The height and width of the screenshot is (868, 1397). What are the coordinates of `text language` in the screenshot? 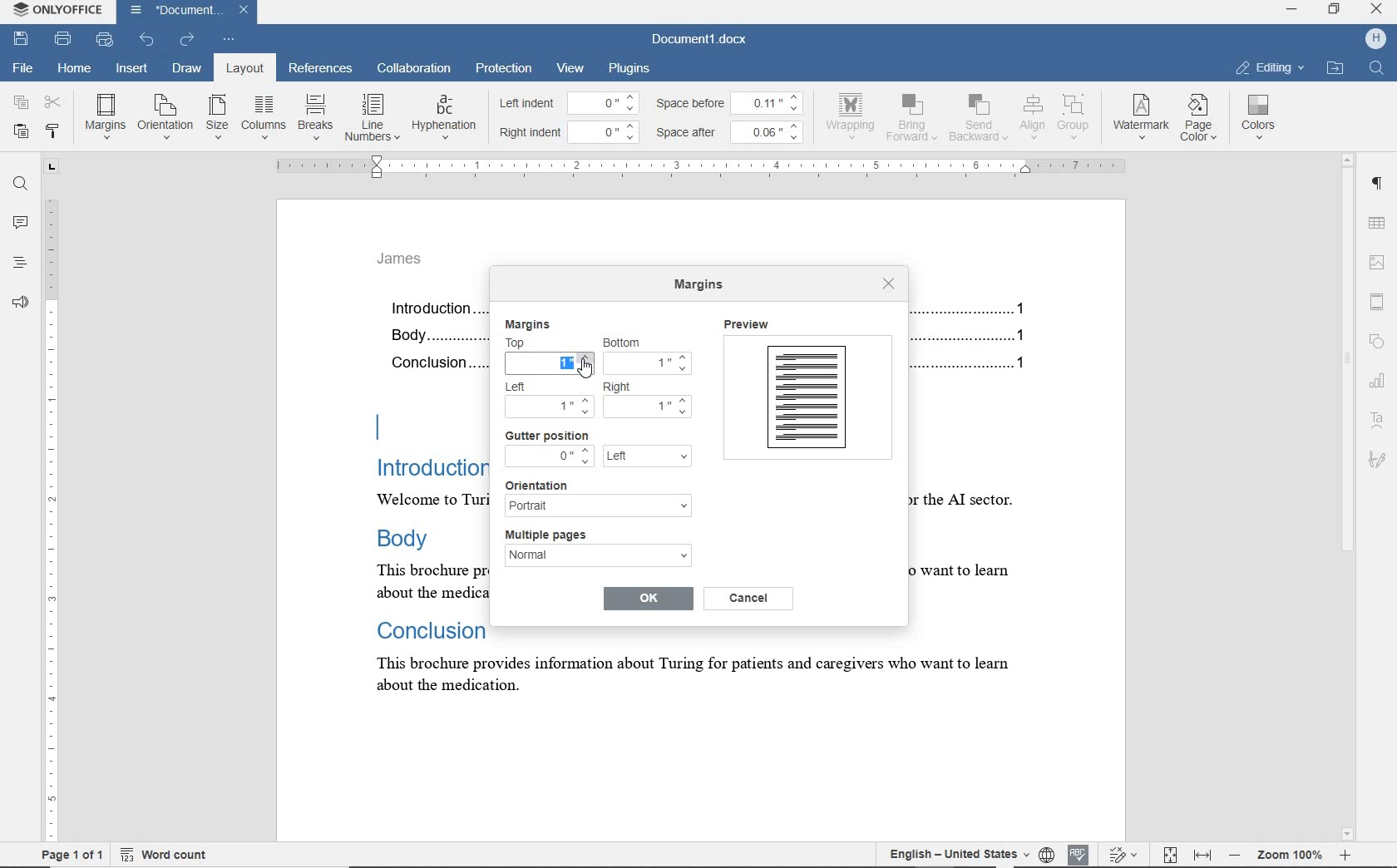 It's located at (954, 853).